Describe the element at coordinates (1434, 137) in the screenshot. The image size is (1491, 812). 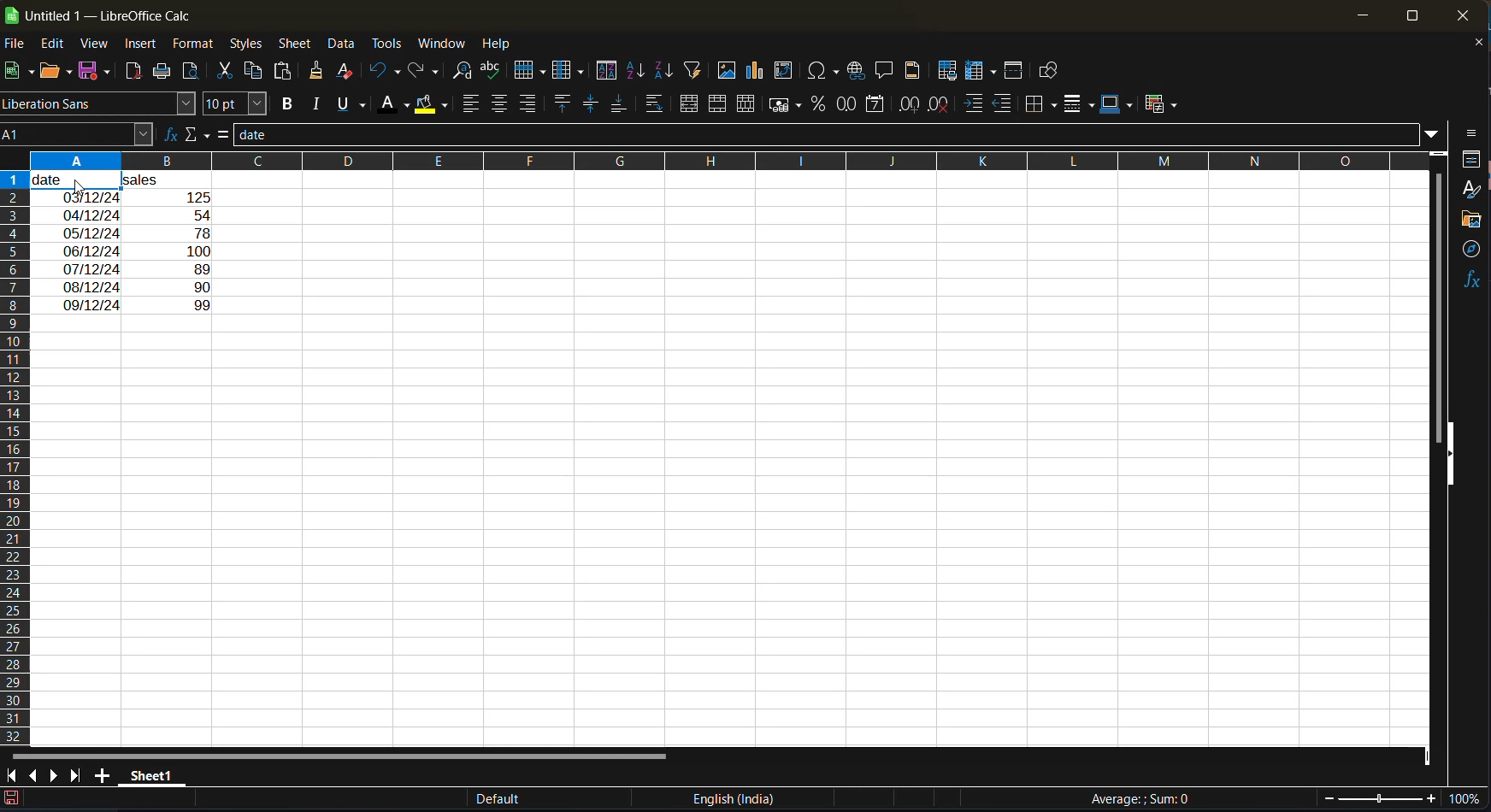
I see `expand formula bar` at that location.